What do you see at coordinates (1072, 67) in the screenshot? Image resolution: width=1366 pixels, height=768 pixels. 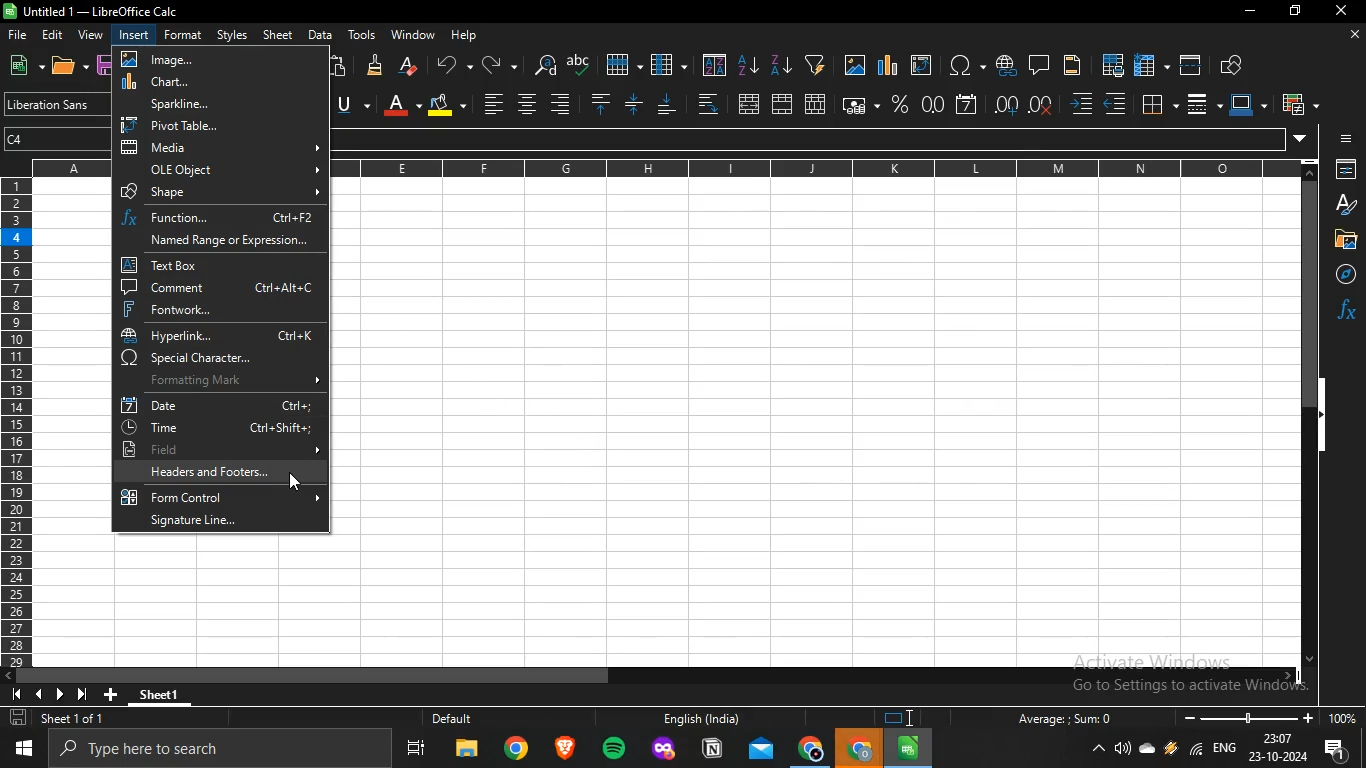 I see `headers and footers` at bounding box center [1072, 67].